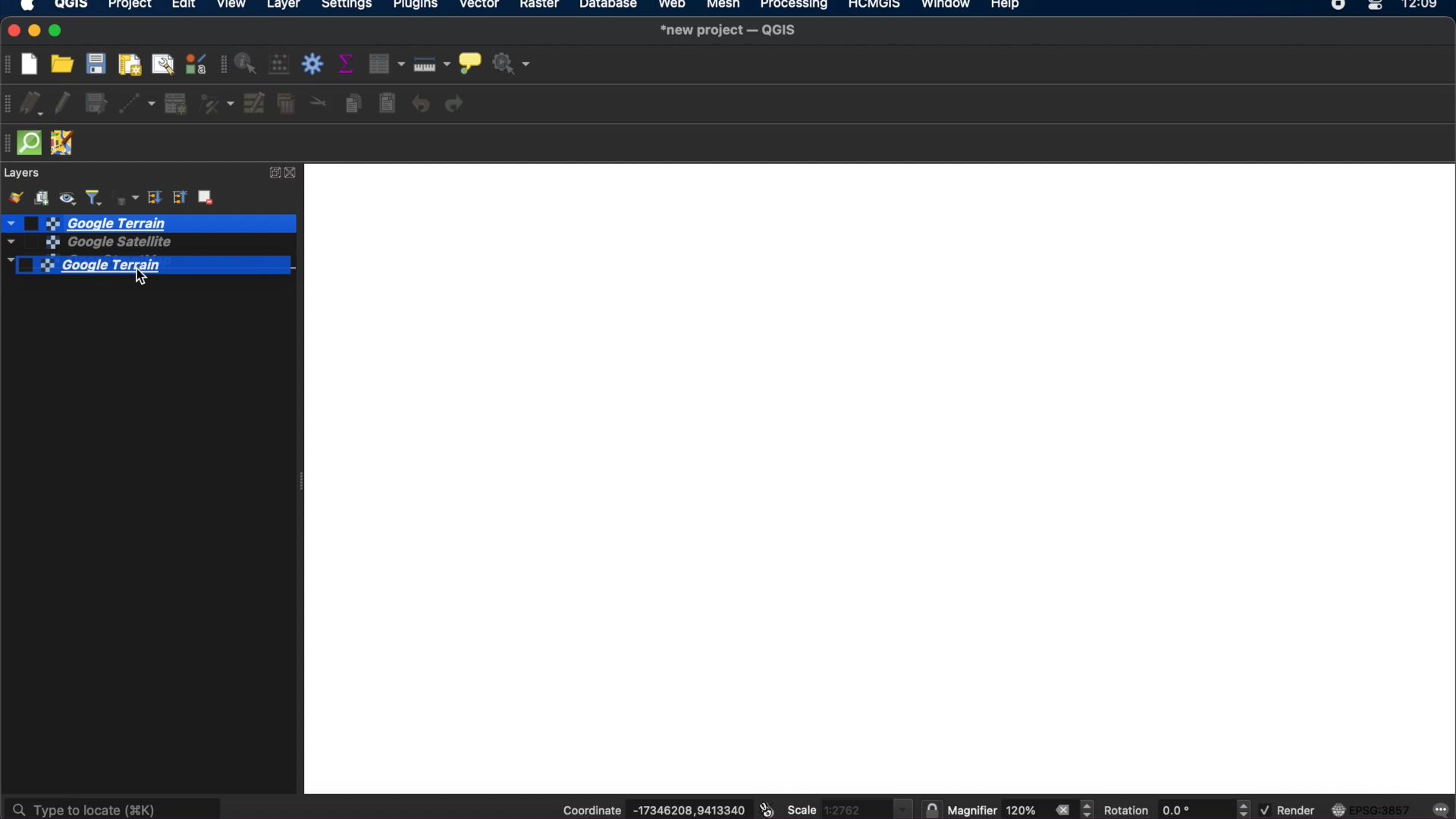 The height and width of the screenshot is (819, 1456). Describe the element at coordinates (97, 105) in the screenshot. I see `save layer edits` at that location.